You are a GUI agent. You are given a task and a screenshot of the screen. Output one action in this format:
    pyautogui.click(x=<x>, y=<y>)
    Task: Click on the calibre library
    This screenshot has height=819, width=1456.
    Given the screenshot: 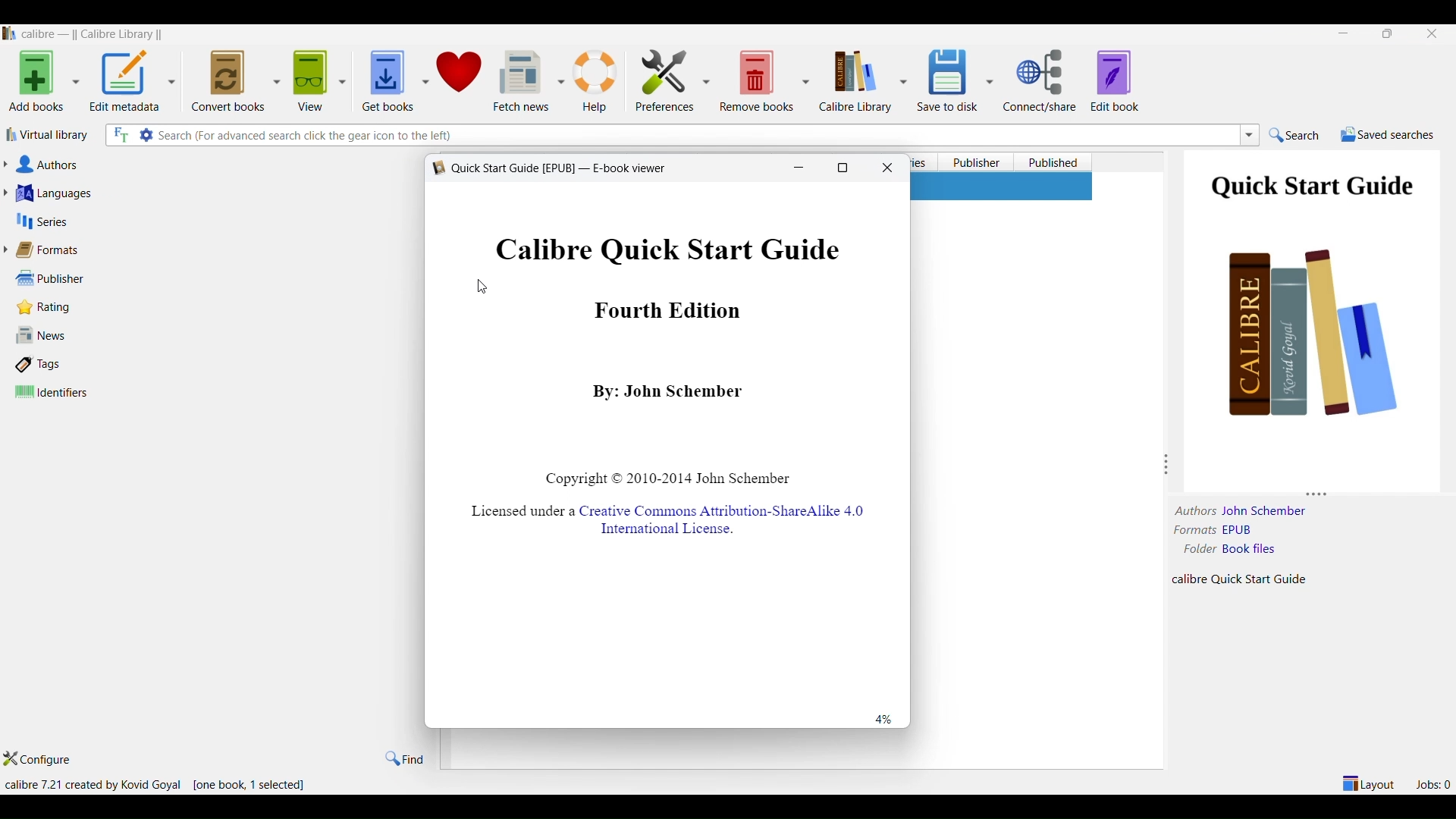 What is the action you would take?
    pyautogui.click(x=854, y=81)
    